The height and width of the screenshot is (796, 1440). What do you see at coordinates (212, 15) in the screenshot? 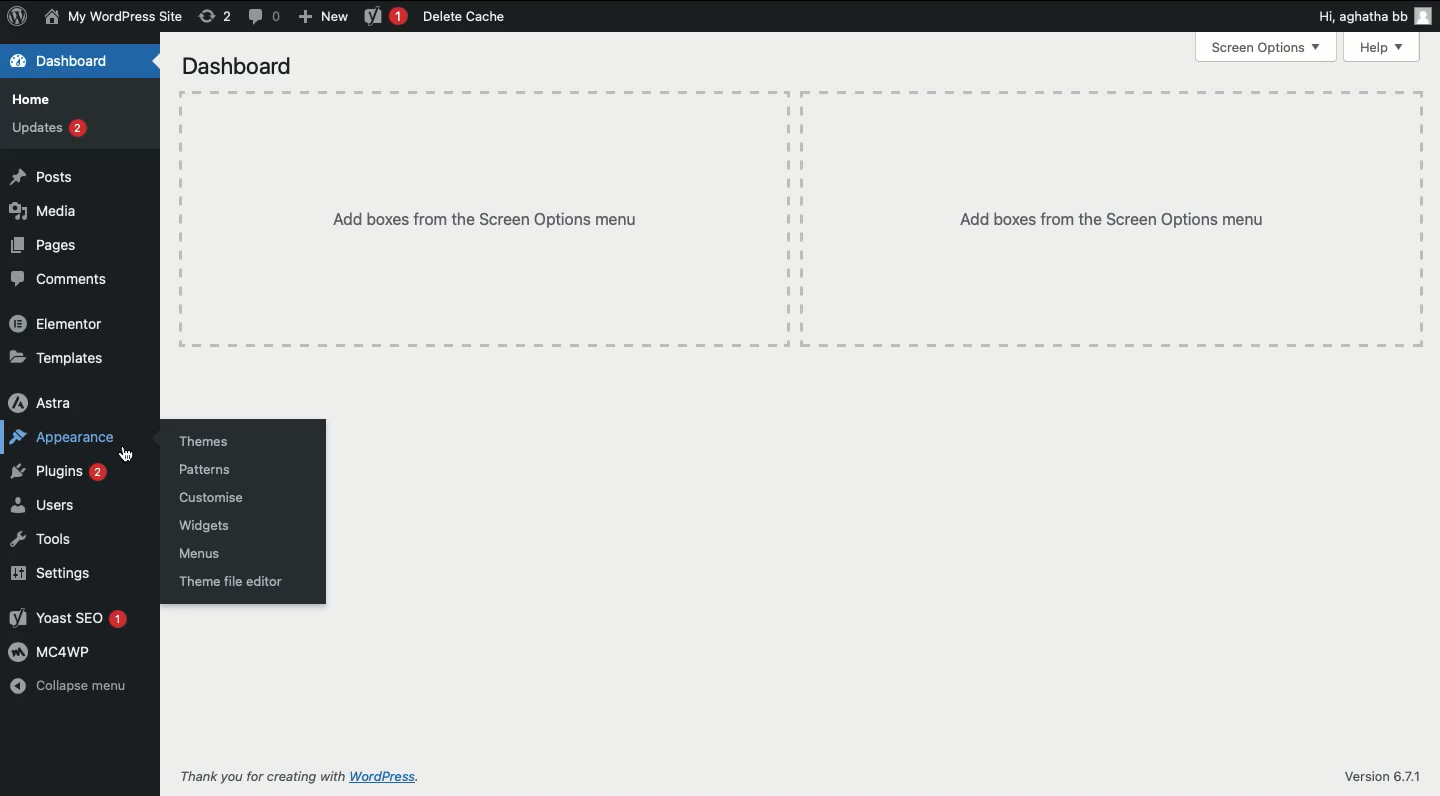
I see `rework` at bounding box center [212, 15].